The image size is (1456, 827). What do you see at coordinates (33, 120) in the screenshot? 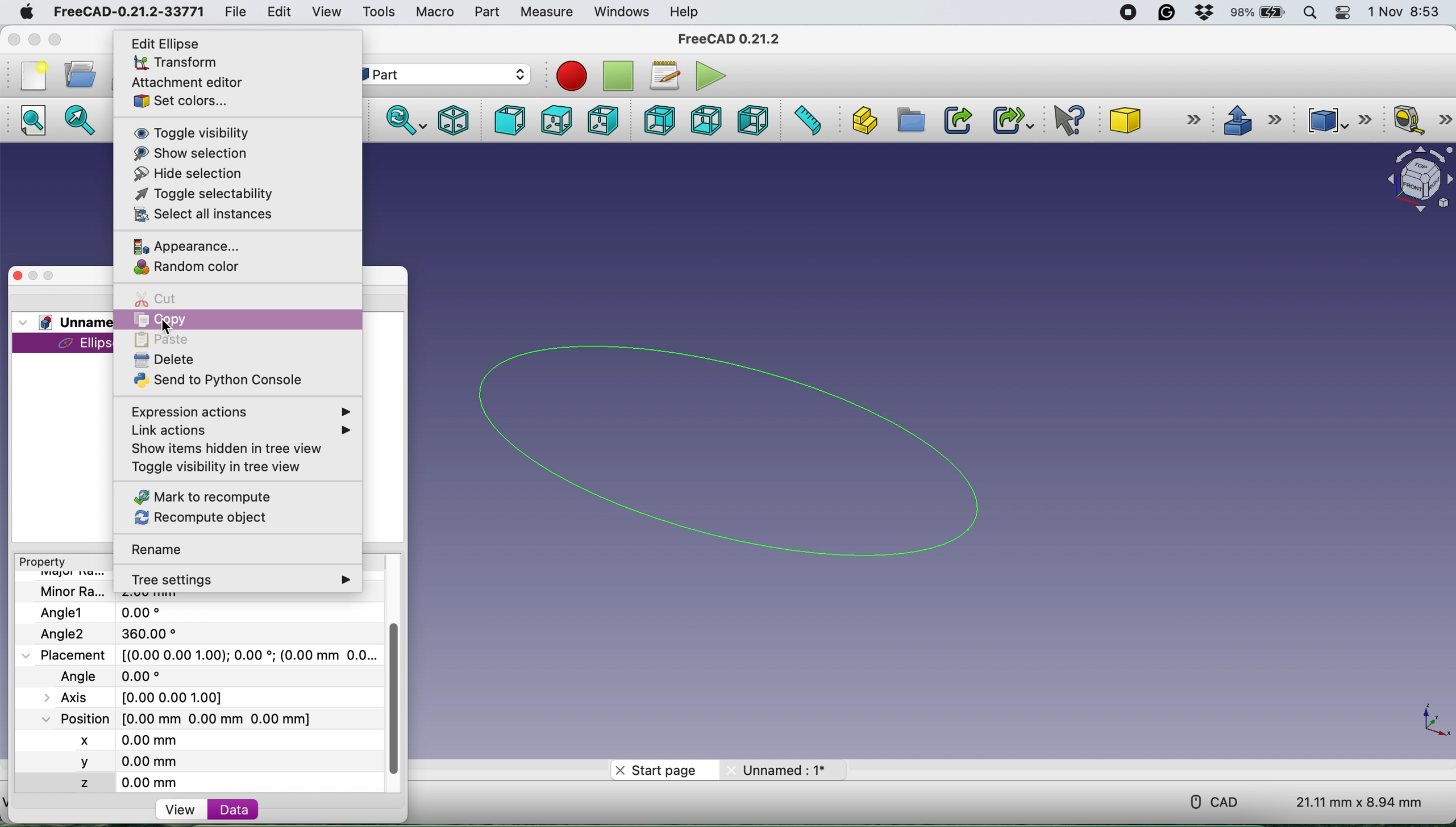
I see `fit all` at bounding box center [33, 120].